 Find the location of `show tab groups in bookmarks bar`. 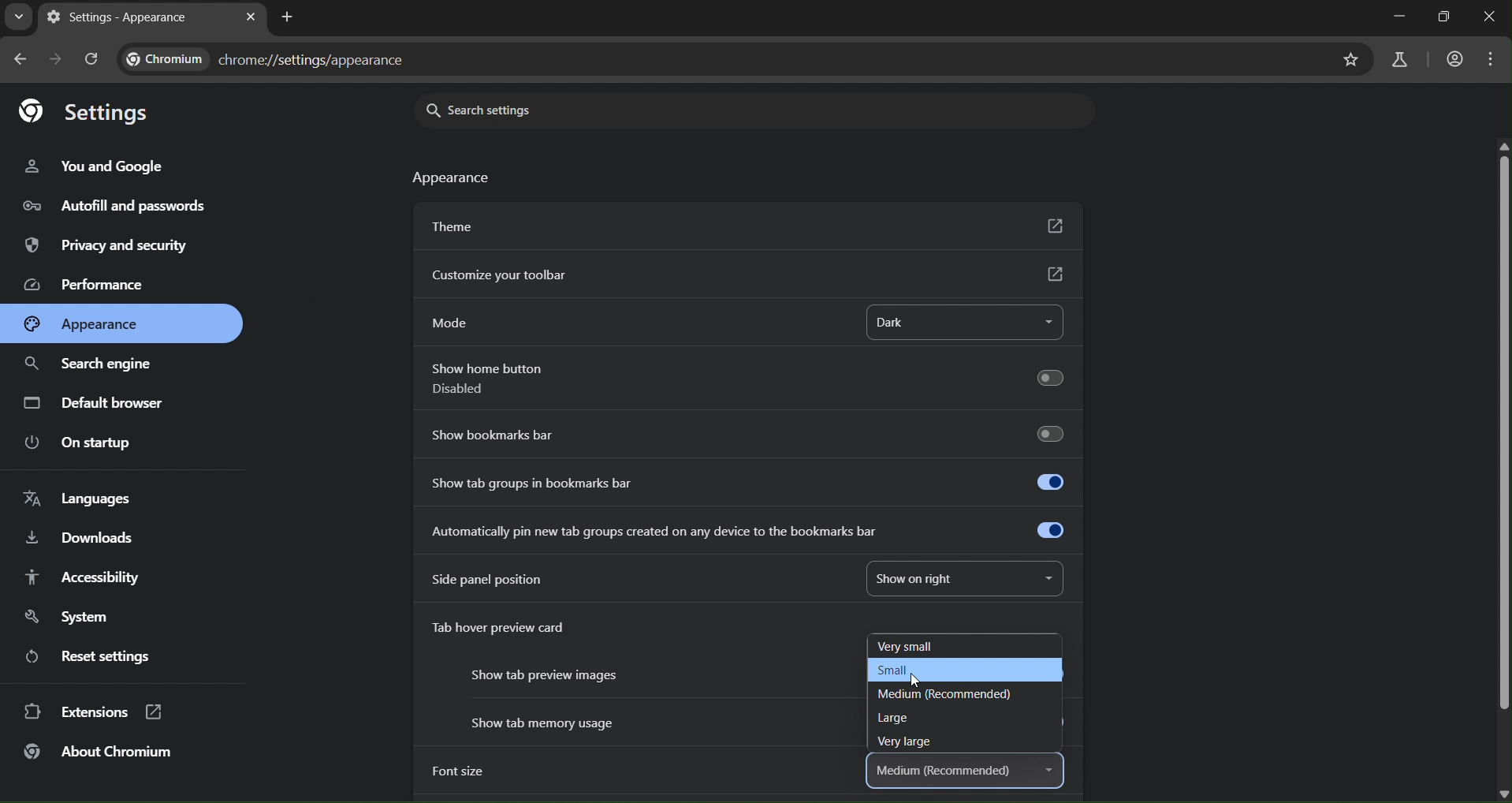

show tab groups in bookmarks bar is located at coordinates (752, 480).